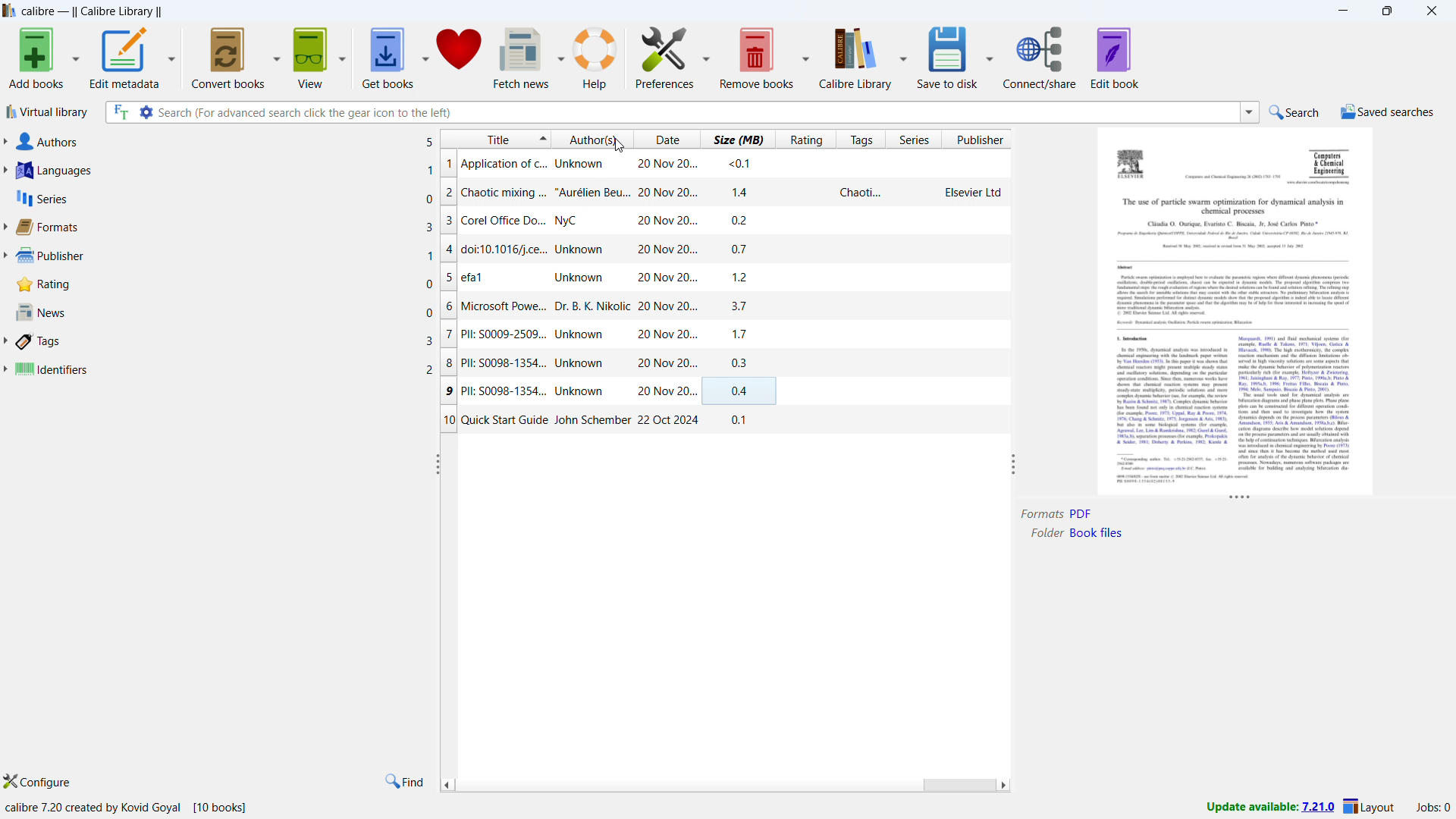 This screenshot has height=819, width=1456. What do you see at coordinates (224, 371) in the screenshot?
I see `identifiers` at bounding box center [224, 371].